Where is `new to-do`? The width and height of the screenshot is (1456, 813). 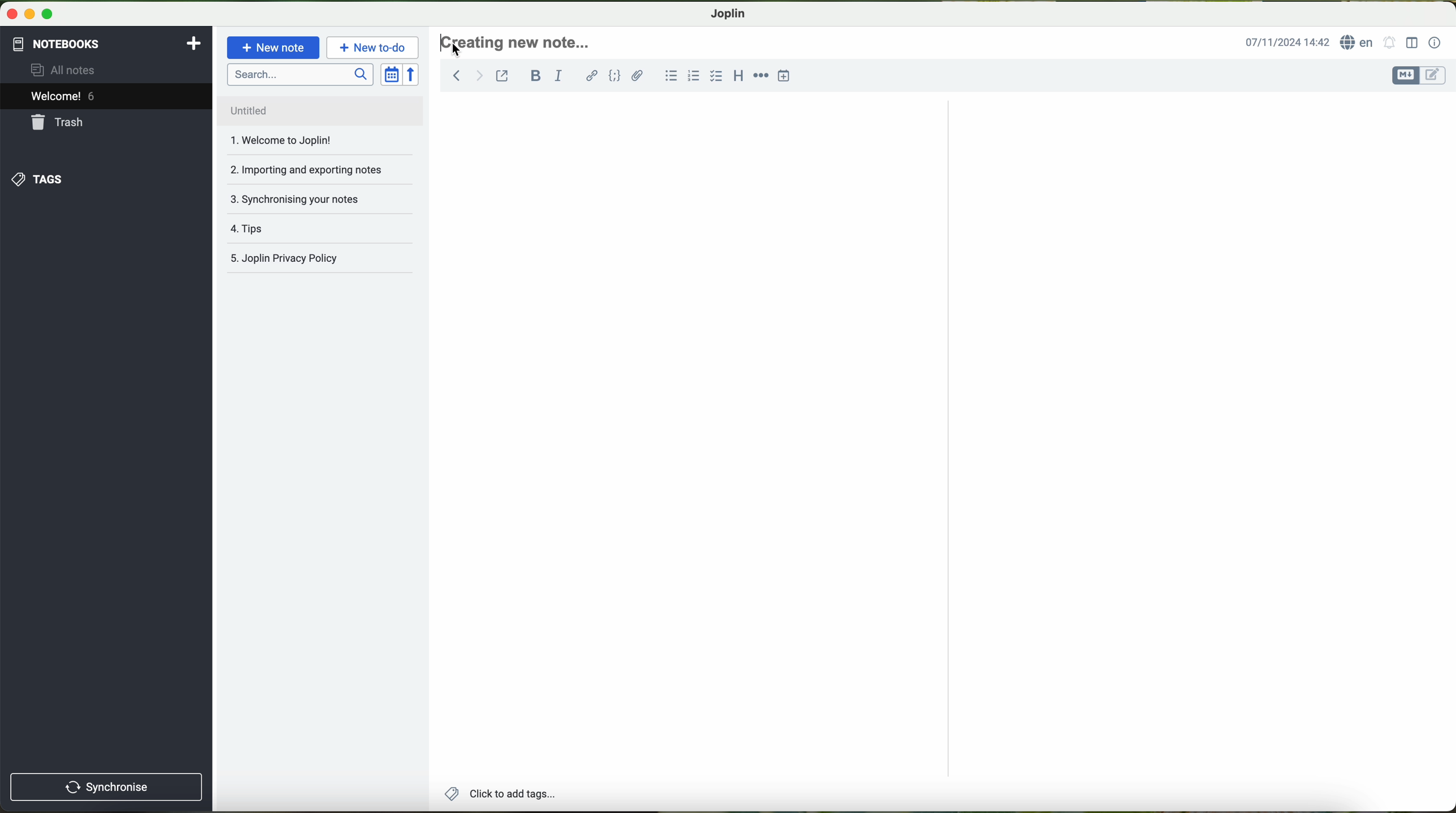 new to-do is located at coordinates (374, 48).